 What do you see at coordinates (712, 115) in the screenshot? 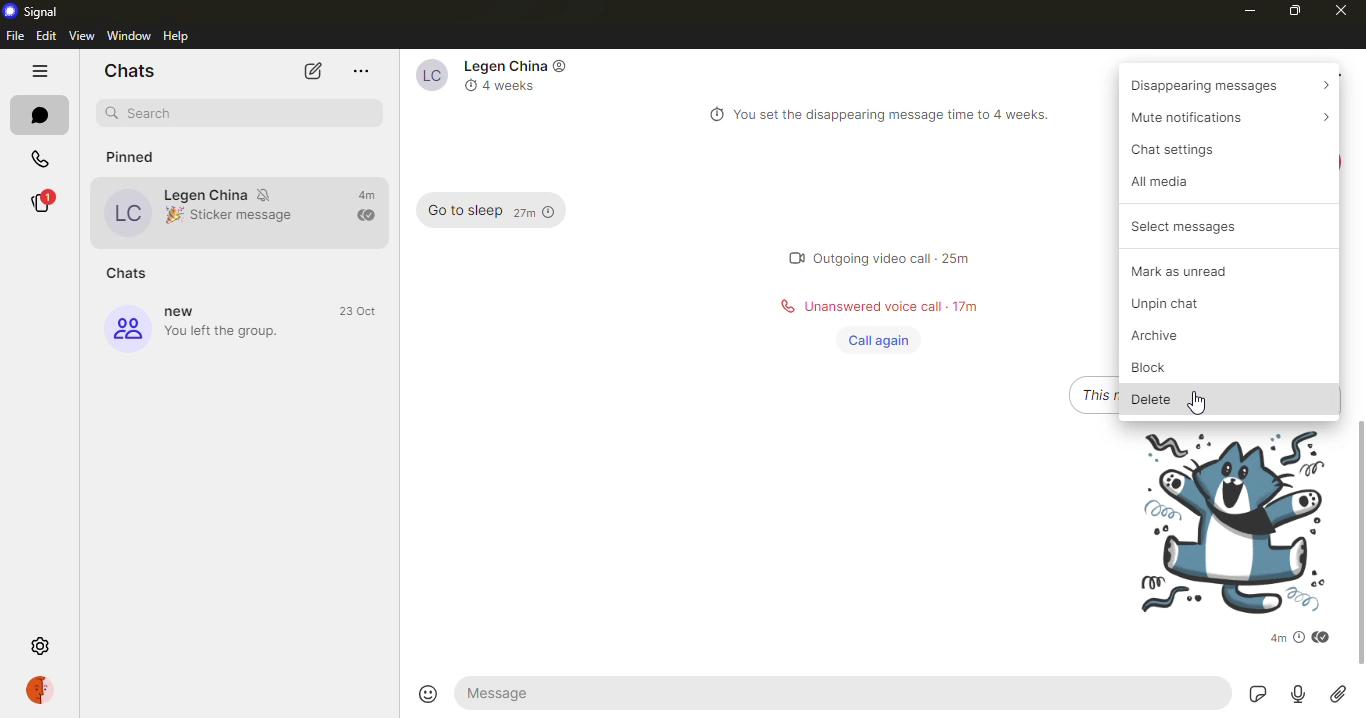
I see `clock logo` at bounding box center [712, 115].